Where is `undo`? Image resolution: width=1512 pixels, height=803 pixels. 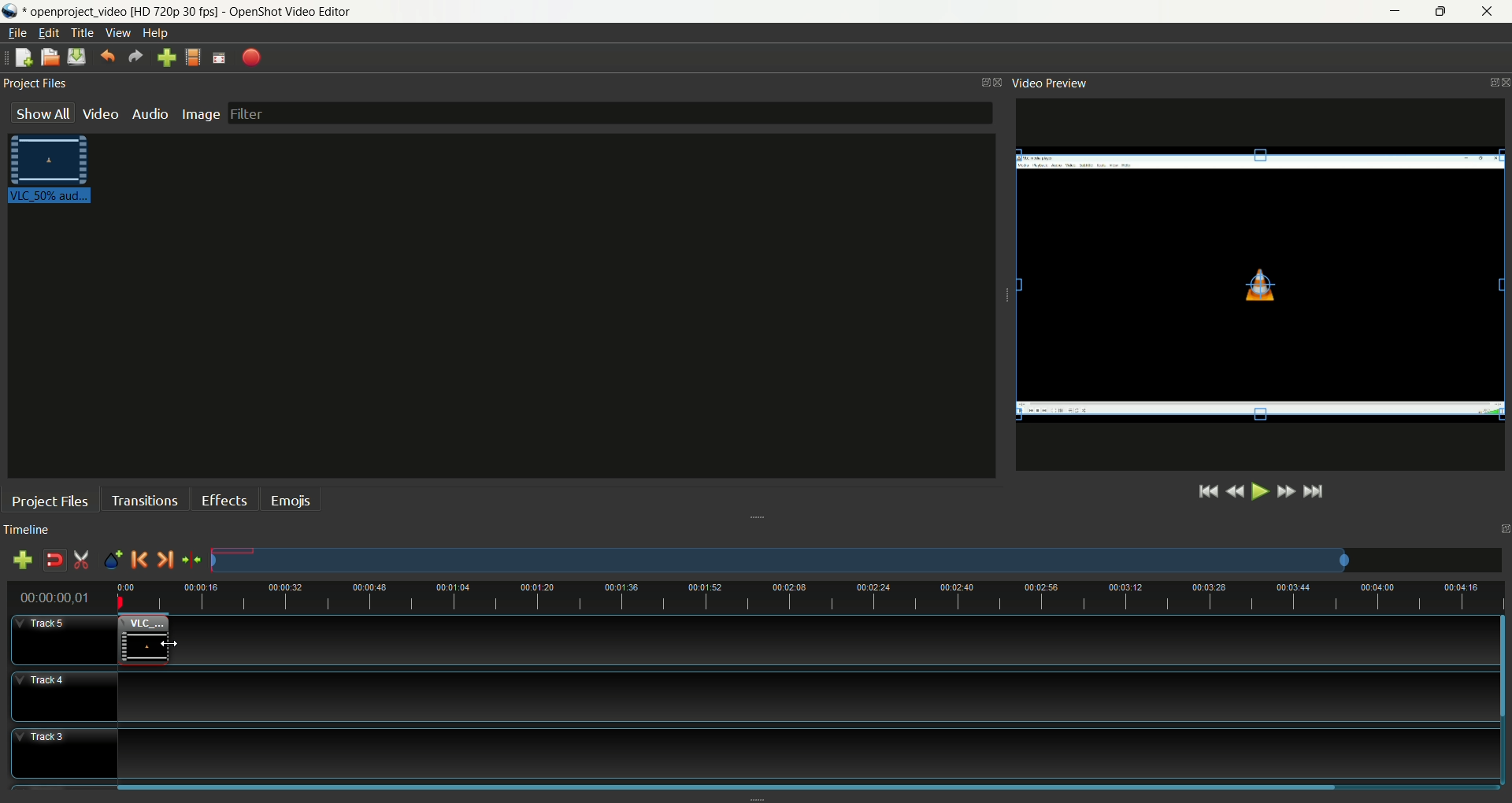 undo is located at coordinates (109, 56).